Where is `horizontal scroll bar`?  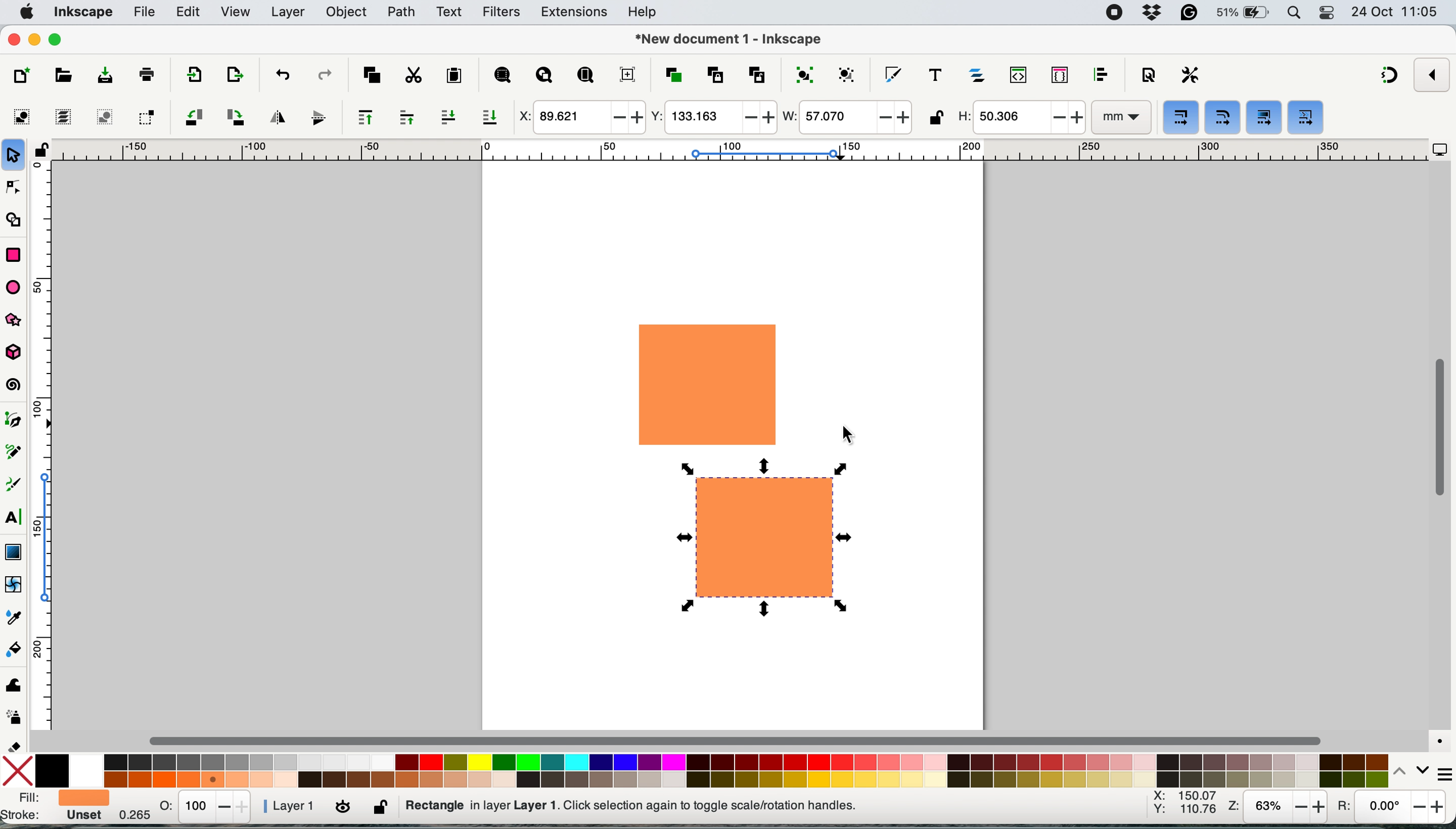
horizontal scroll bar is located at coordinates (739, 740).